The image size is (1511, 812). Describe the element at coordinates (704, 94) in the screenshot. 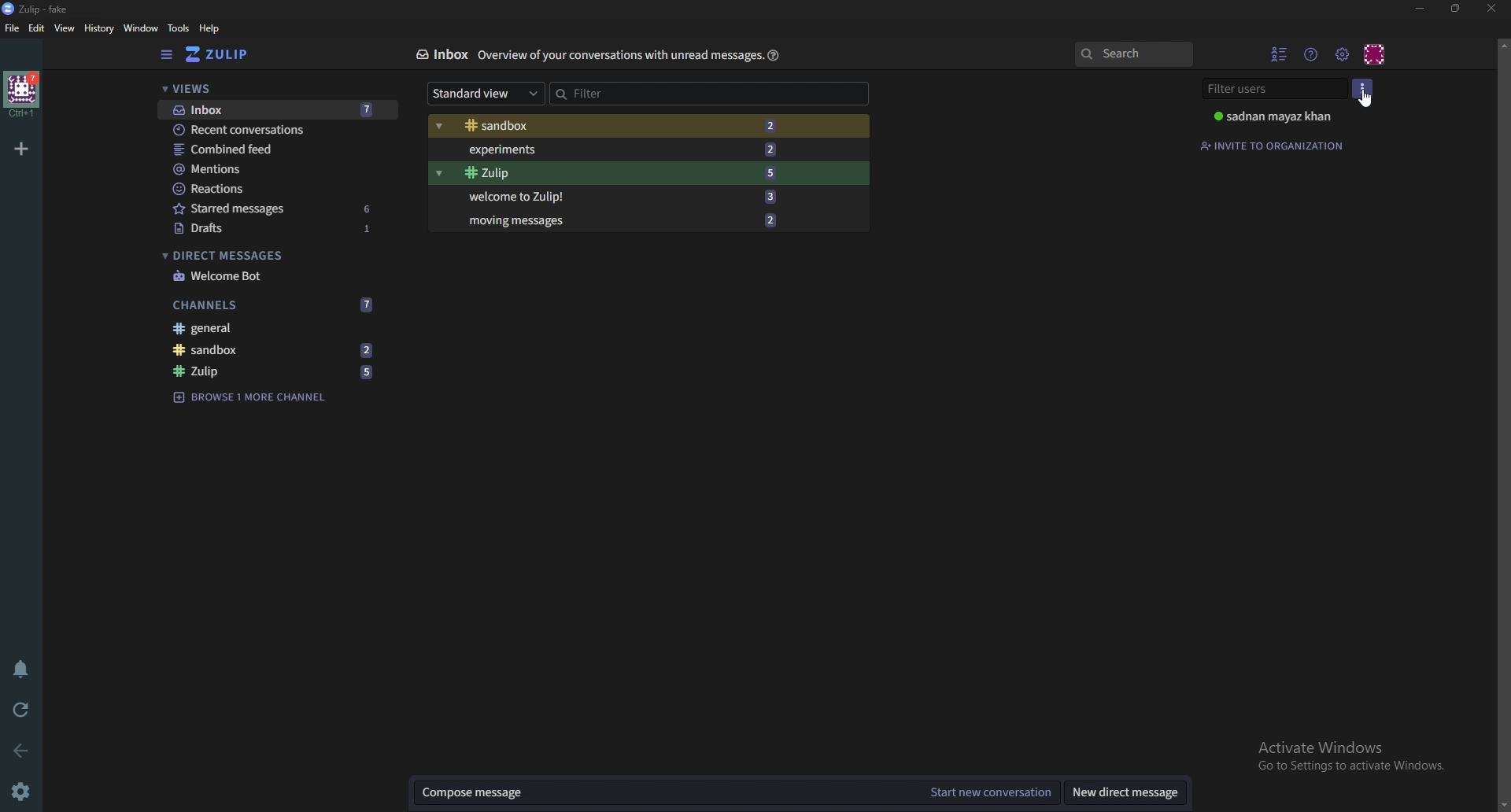

I see `Filter` at that location.